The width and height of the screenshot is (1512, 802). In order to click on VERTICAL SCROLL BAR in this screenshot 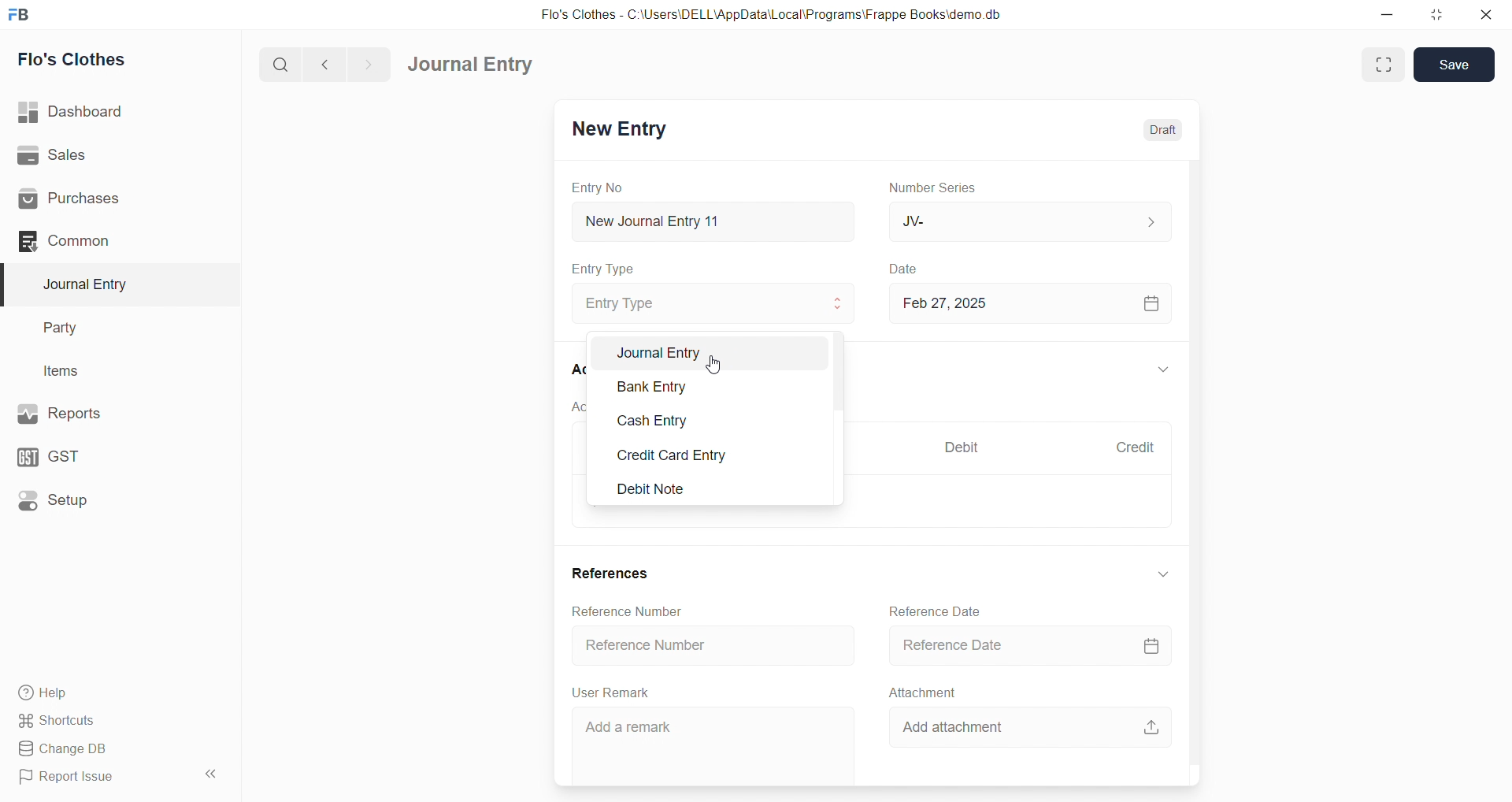, I will do `click(838, 419)`.